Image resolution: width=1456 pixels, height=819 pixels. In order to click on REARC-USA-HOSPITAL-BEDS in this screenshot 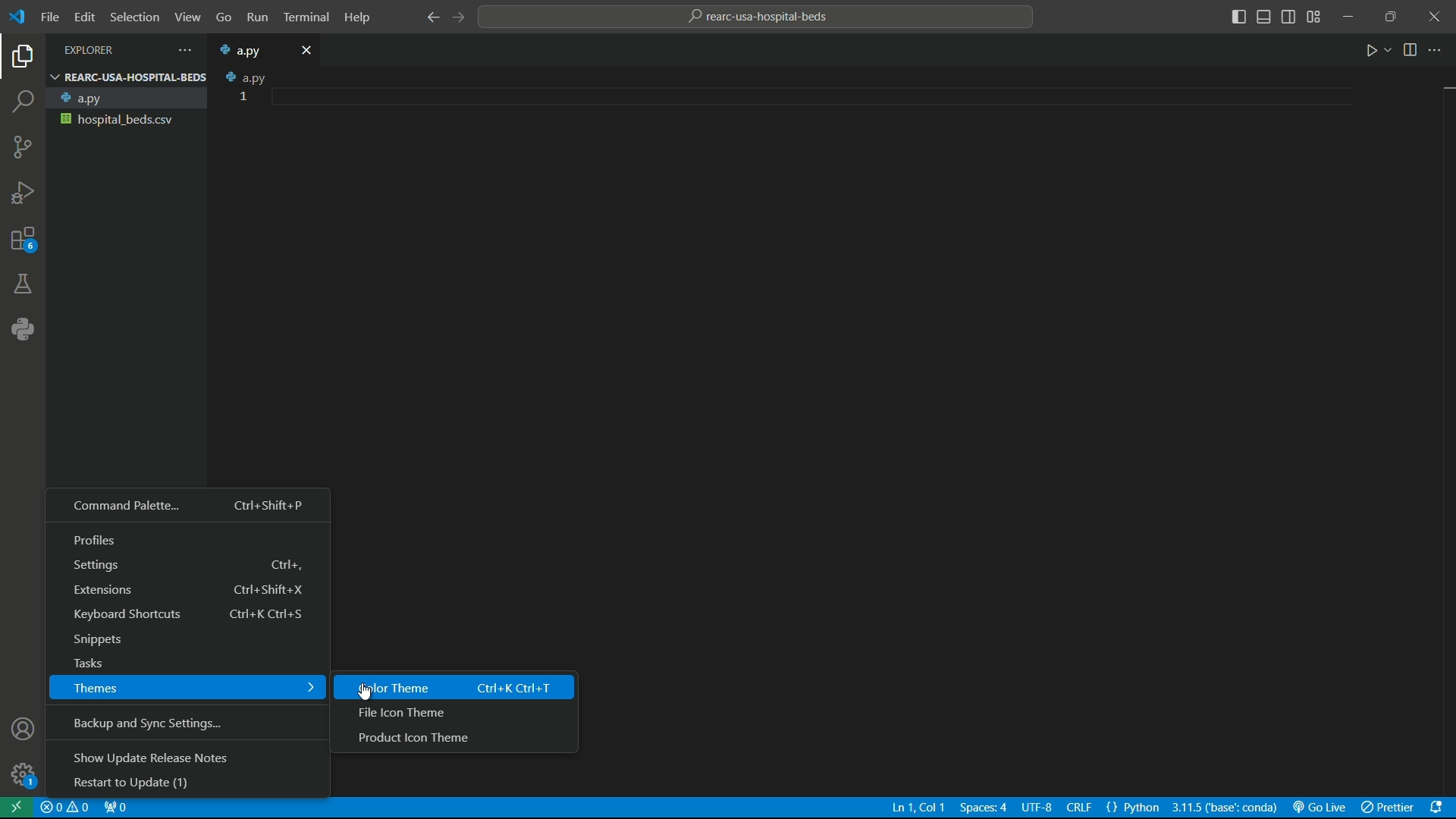, I will do `click(127, 77)`.